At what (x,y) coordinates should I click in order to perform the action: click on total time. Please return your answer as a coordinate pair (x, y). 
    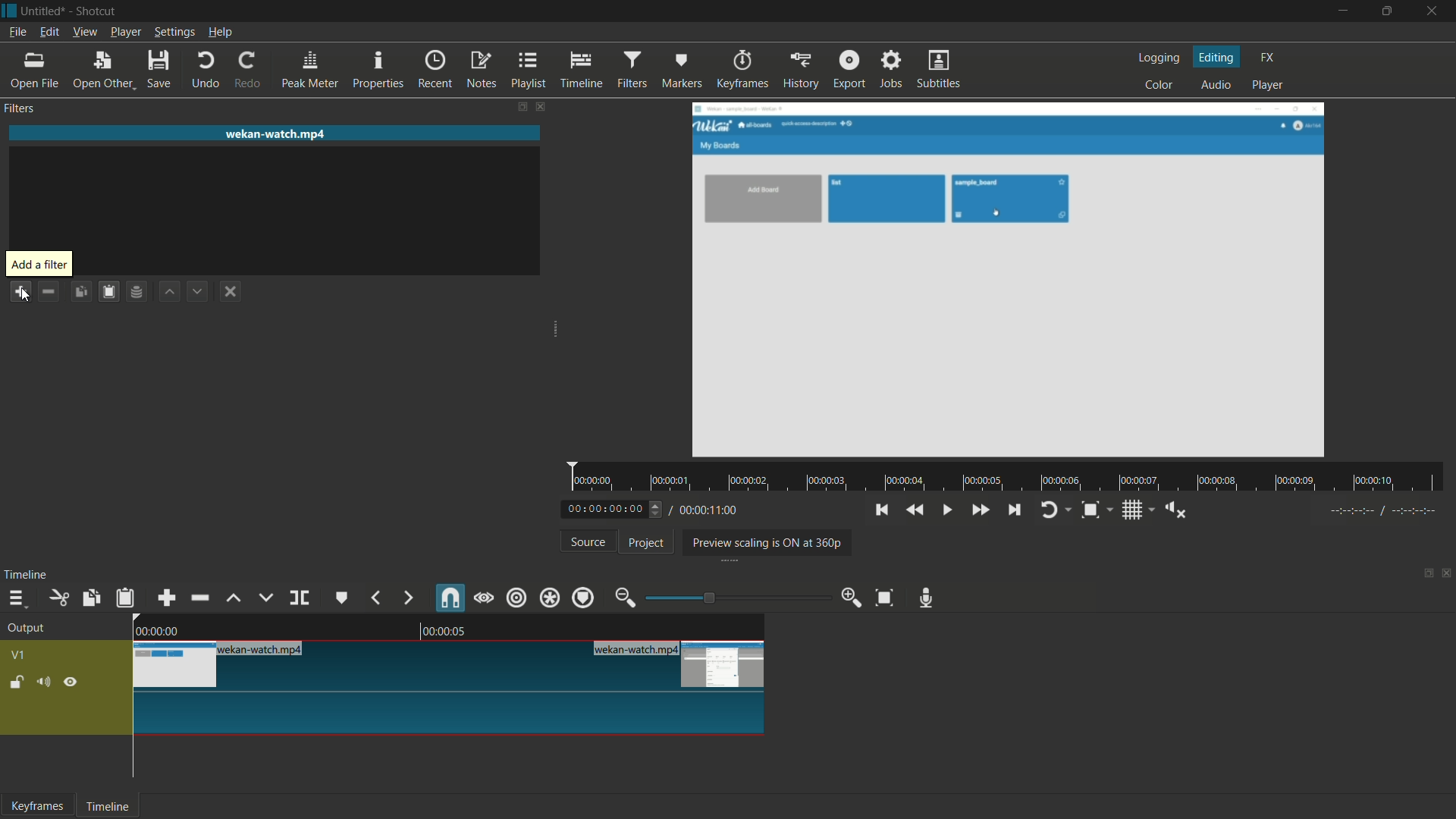
    Looking at the image, I should click on (708, 510).